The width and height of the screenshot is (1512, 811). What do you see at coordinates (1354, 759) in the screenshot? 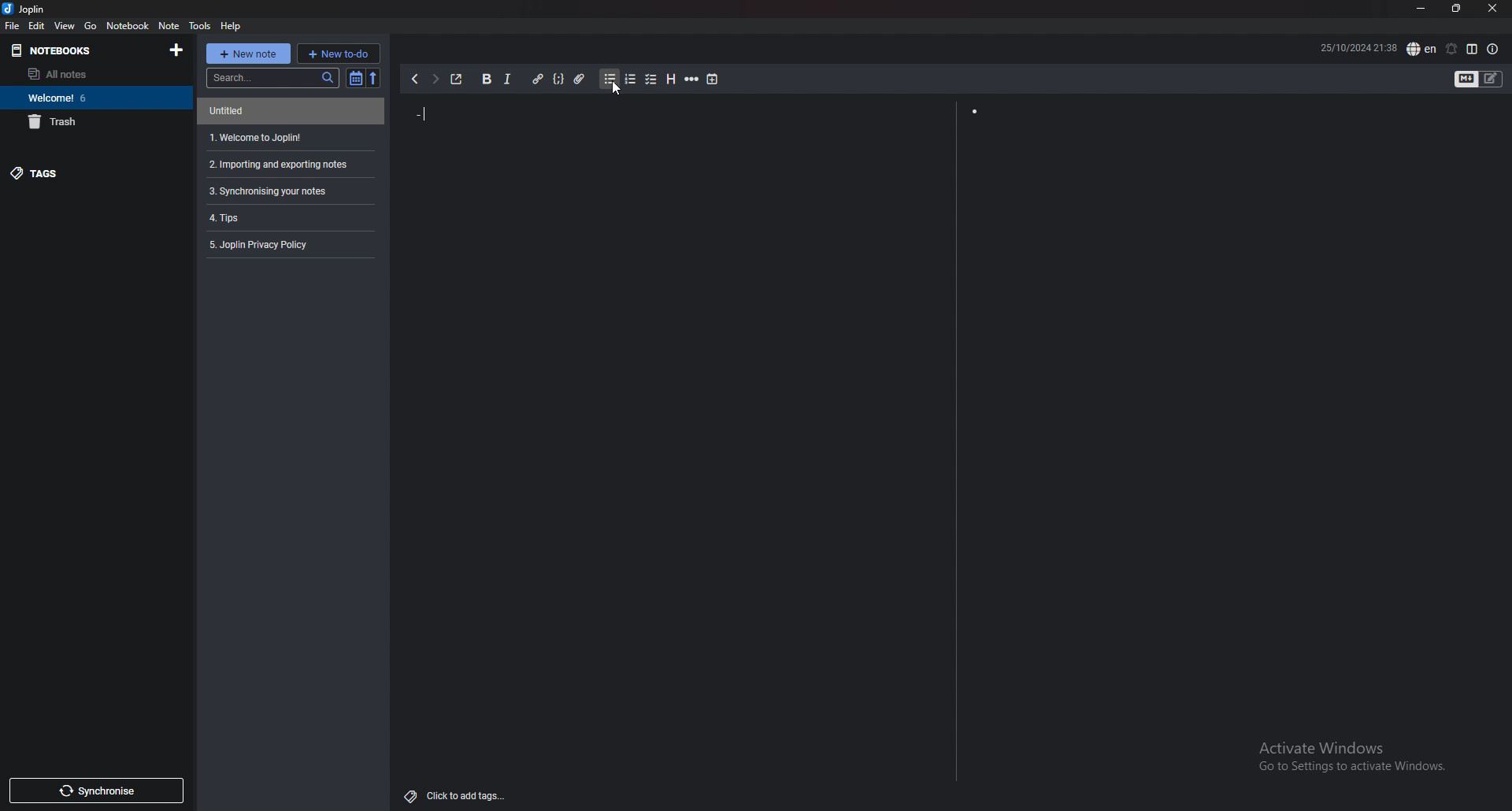
I see `Activate Windows` at bounding box center [1354, 759].